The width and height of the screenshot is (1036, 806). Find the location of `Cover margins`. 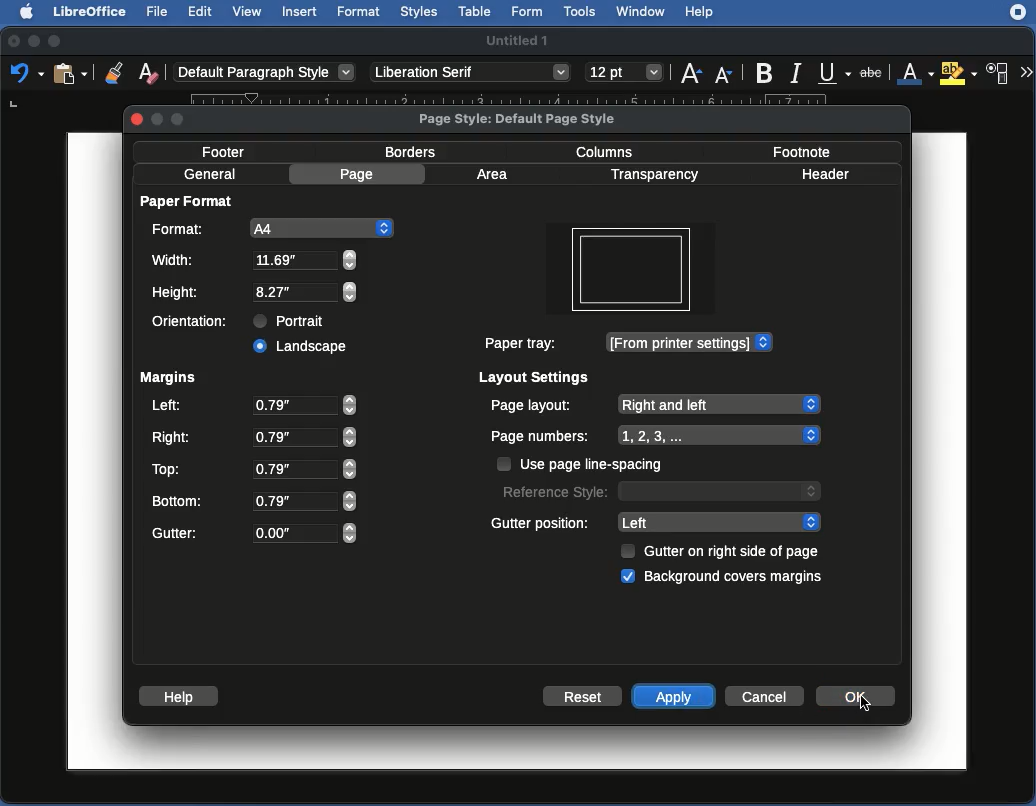

Cover margins is located at coordinates (737, 578).